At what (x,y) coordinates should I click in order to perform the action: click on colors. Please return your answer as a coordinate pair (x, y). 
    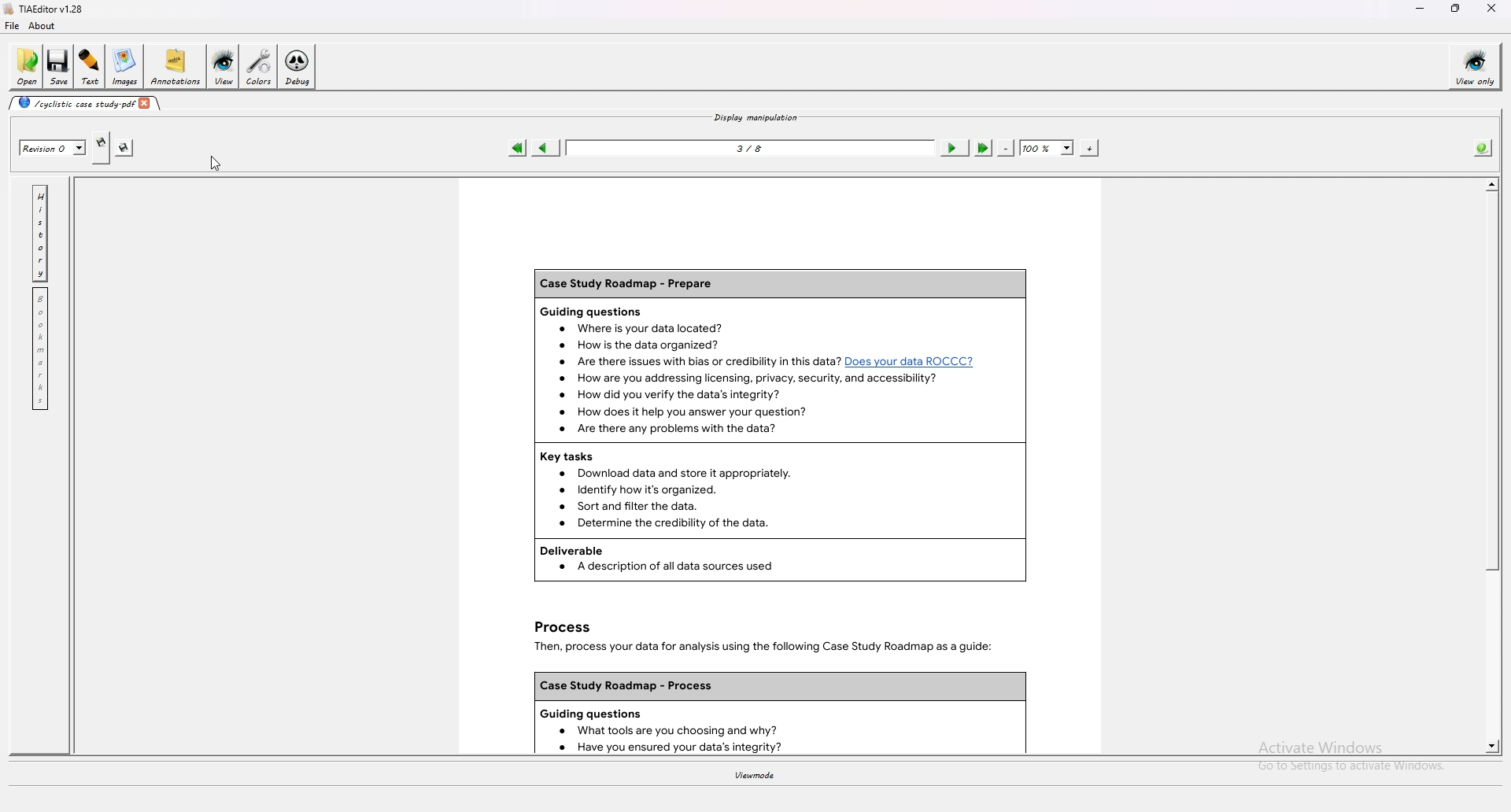
    Looking at the image, I should click on (257, 67).